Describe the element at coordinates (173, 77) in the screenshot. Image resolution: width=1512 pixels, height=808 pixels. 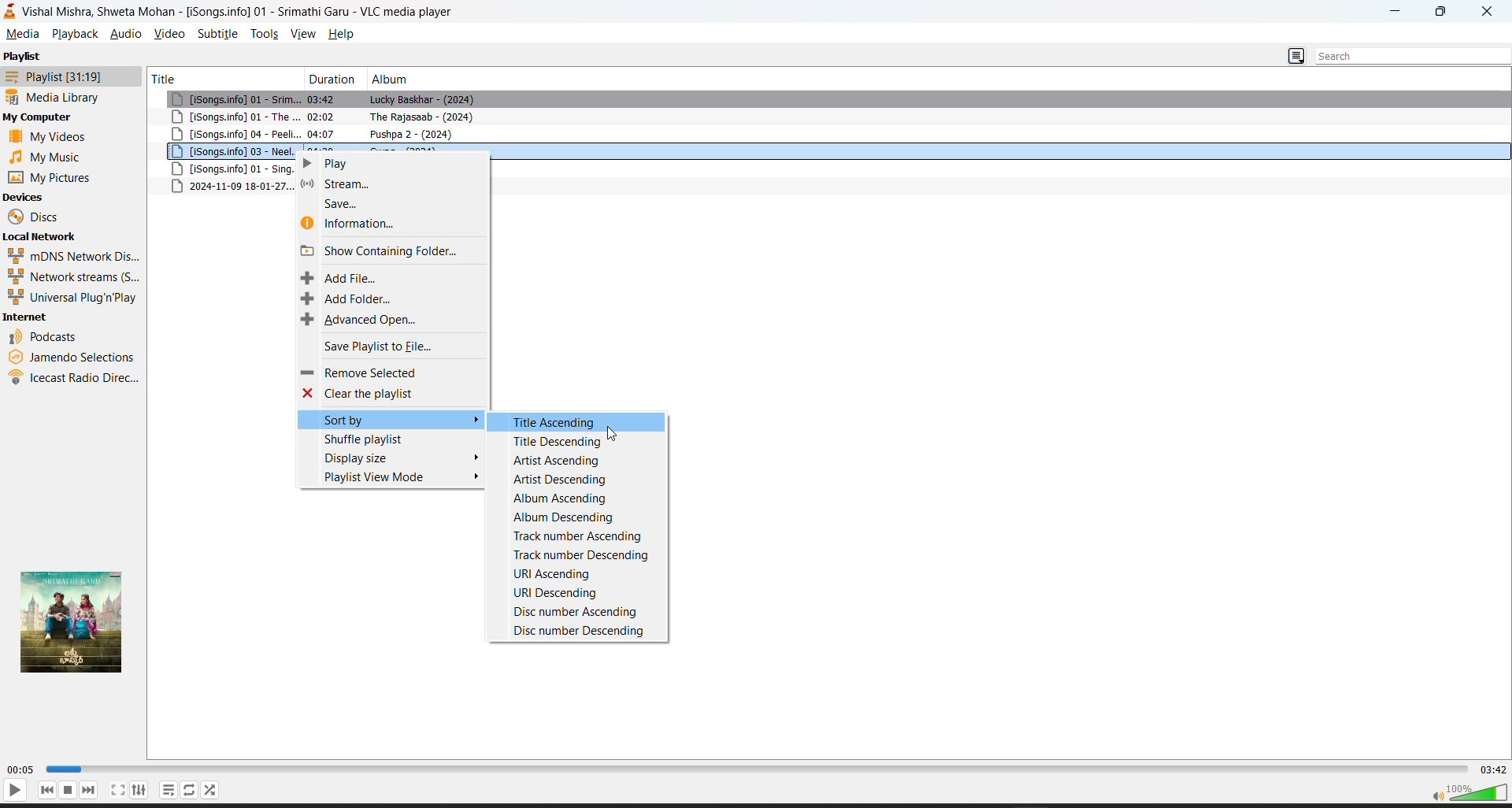
I see `title` at that location.